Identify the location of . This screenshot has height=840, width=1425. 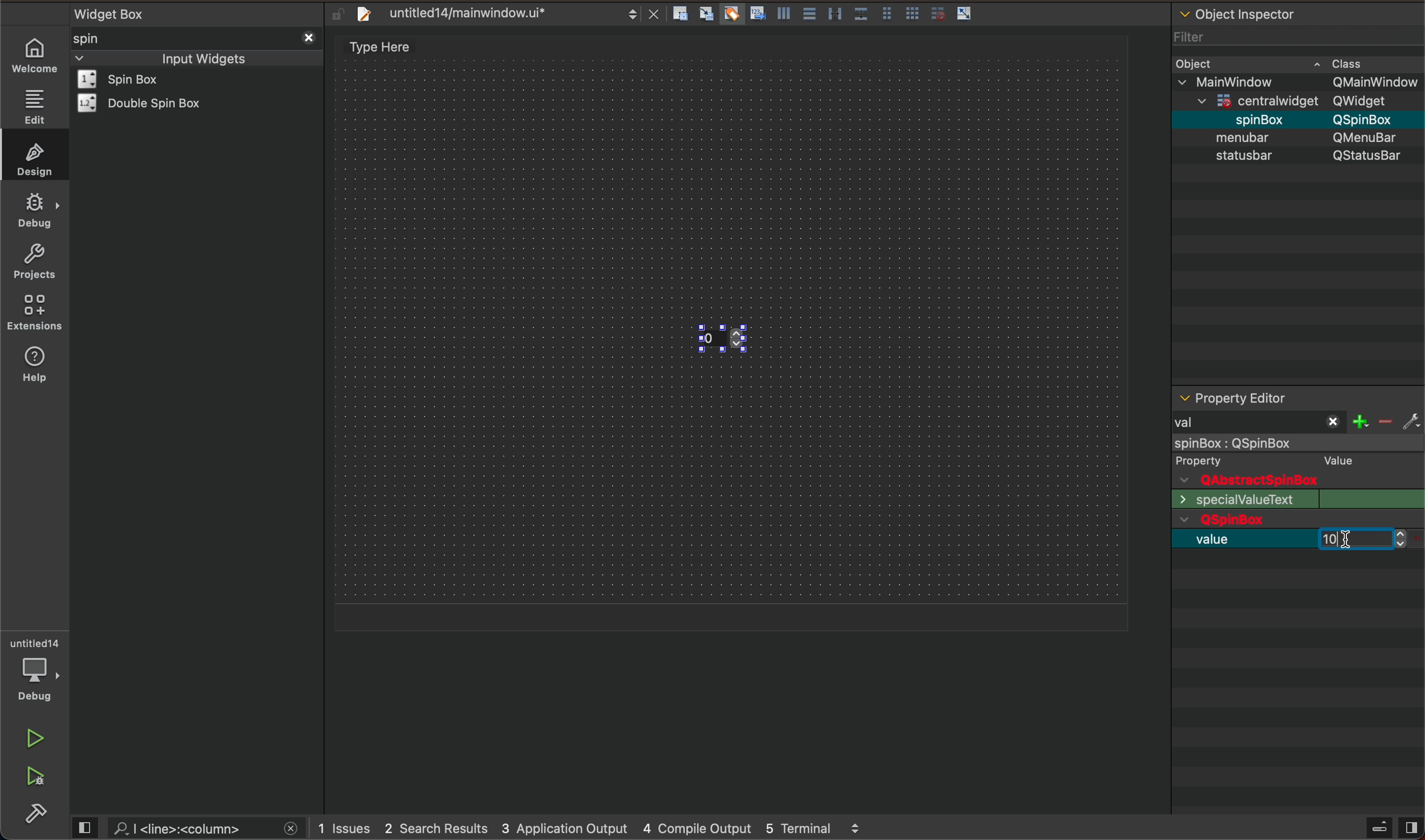
(1248, 118).